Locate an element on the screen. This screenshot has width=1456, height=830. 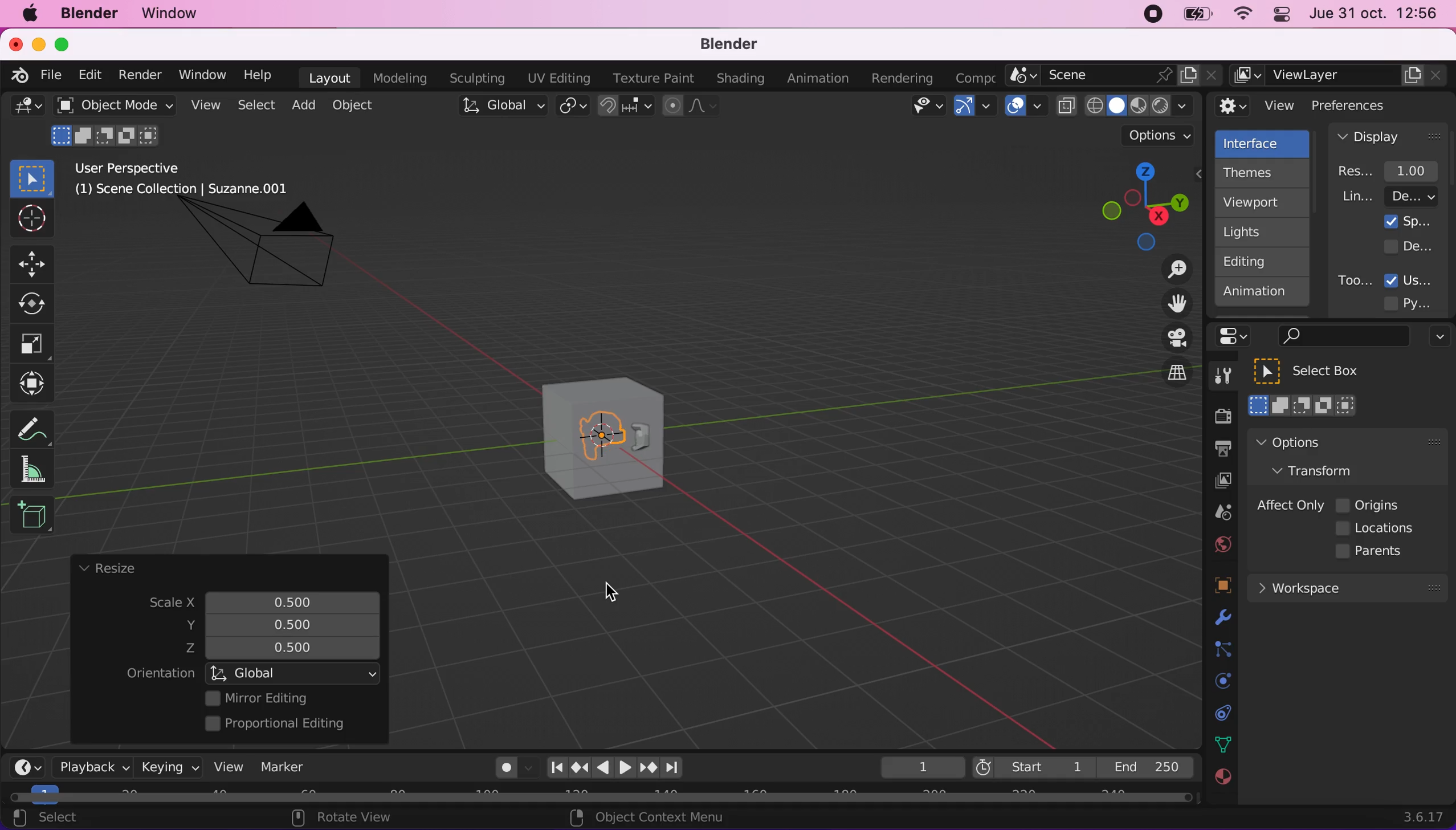
resized suzanne is located at coordinates (615, 438).